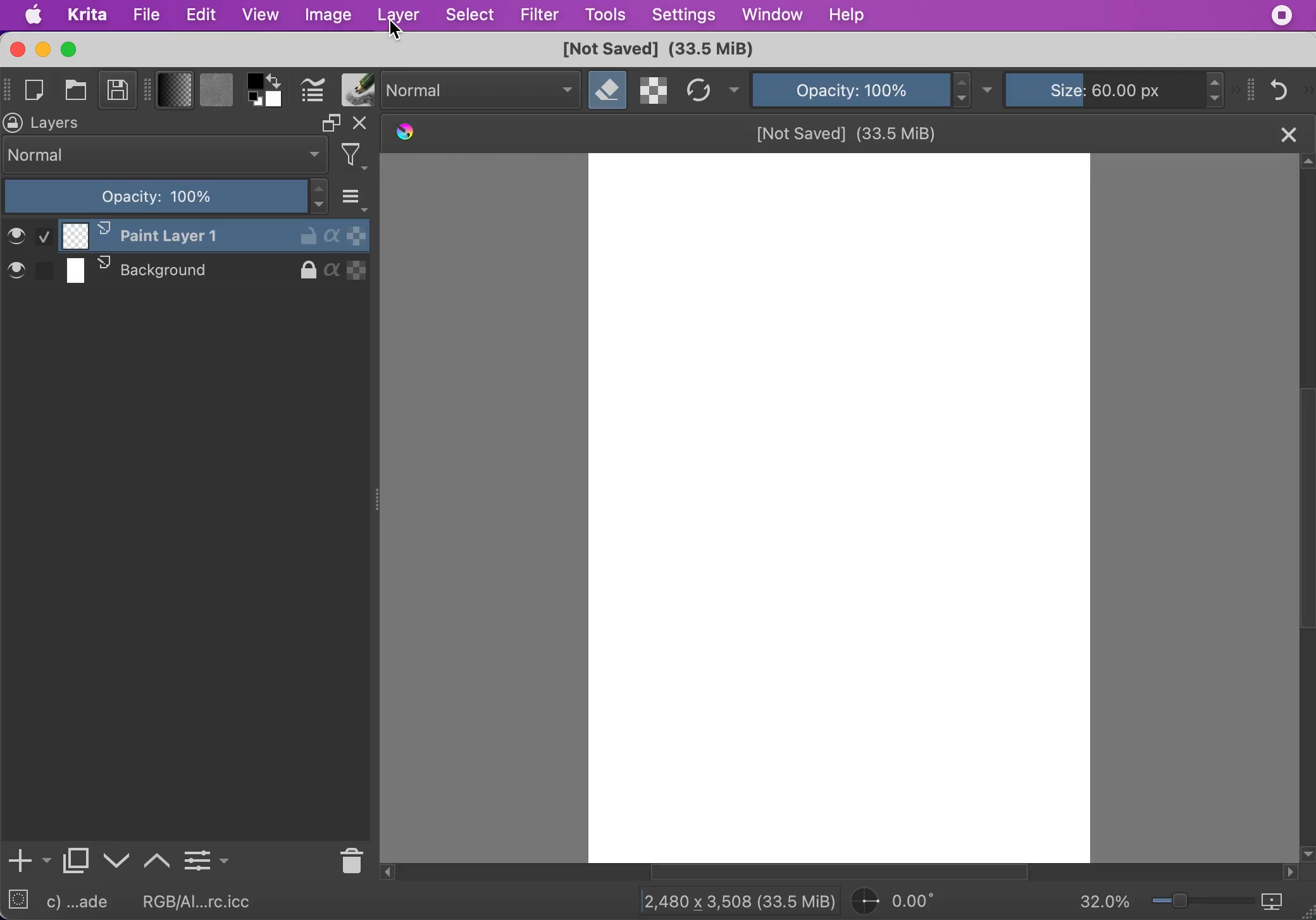  What do you see at coordinates (471, 16) in the screenshot?
I see `select` at bounding box center [471, 16].